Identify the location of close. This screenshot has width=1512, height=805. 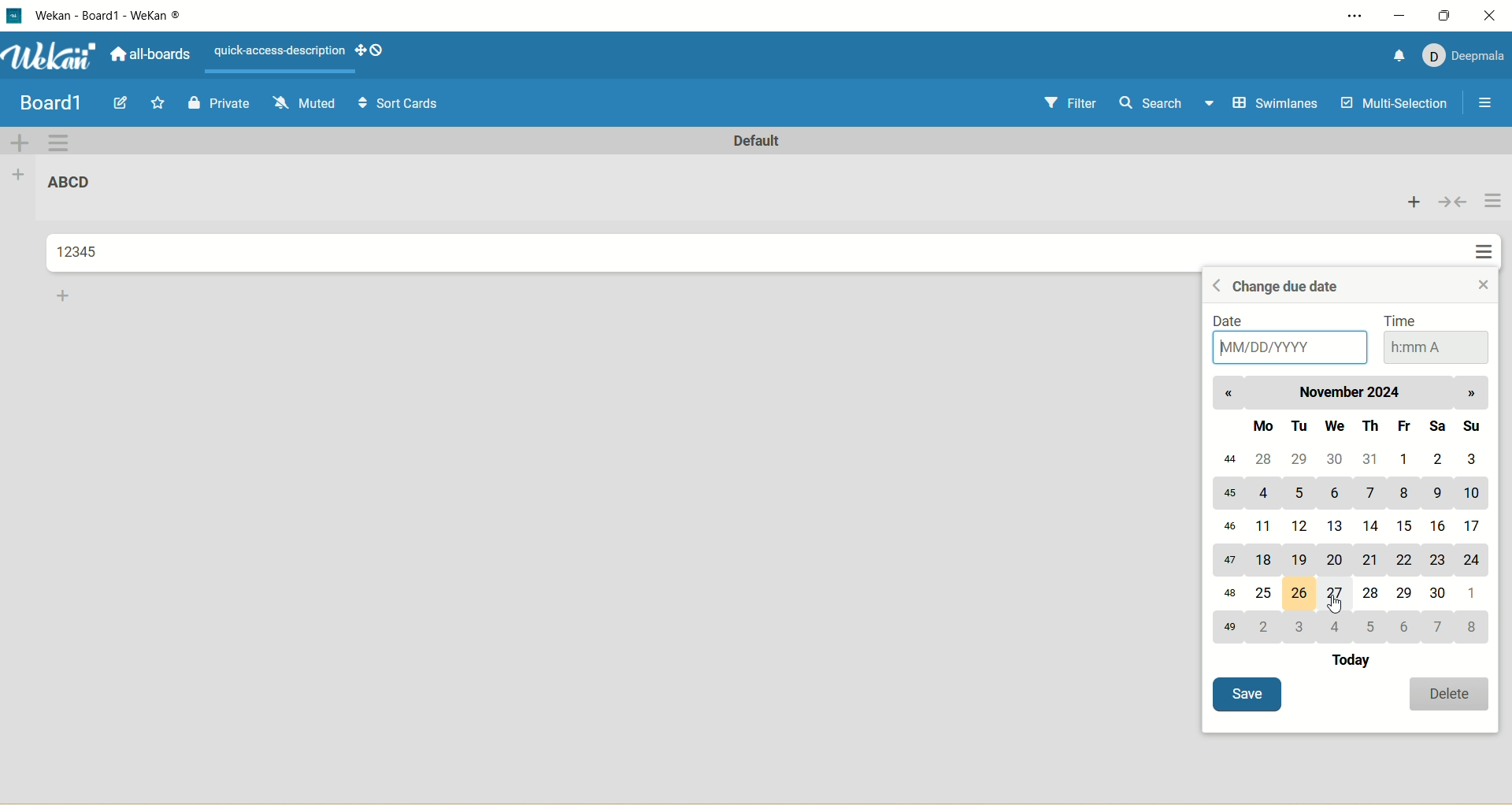
(1493, 15).